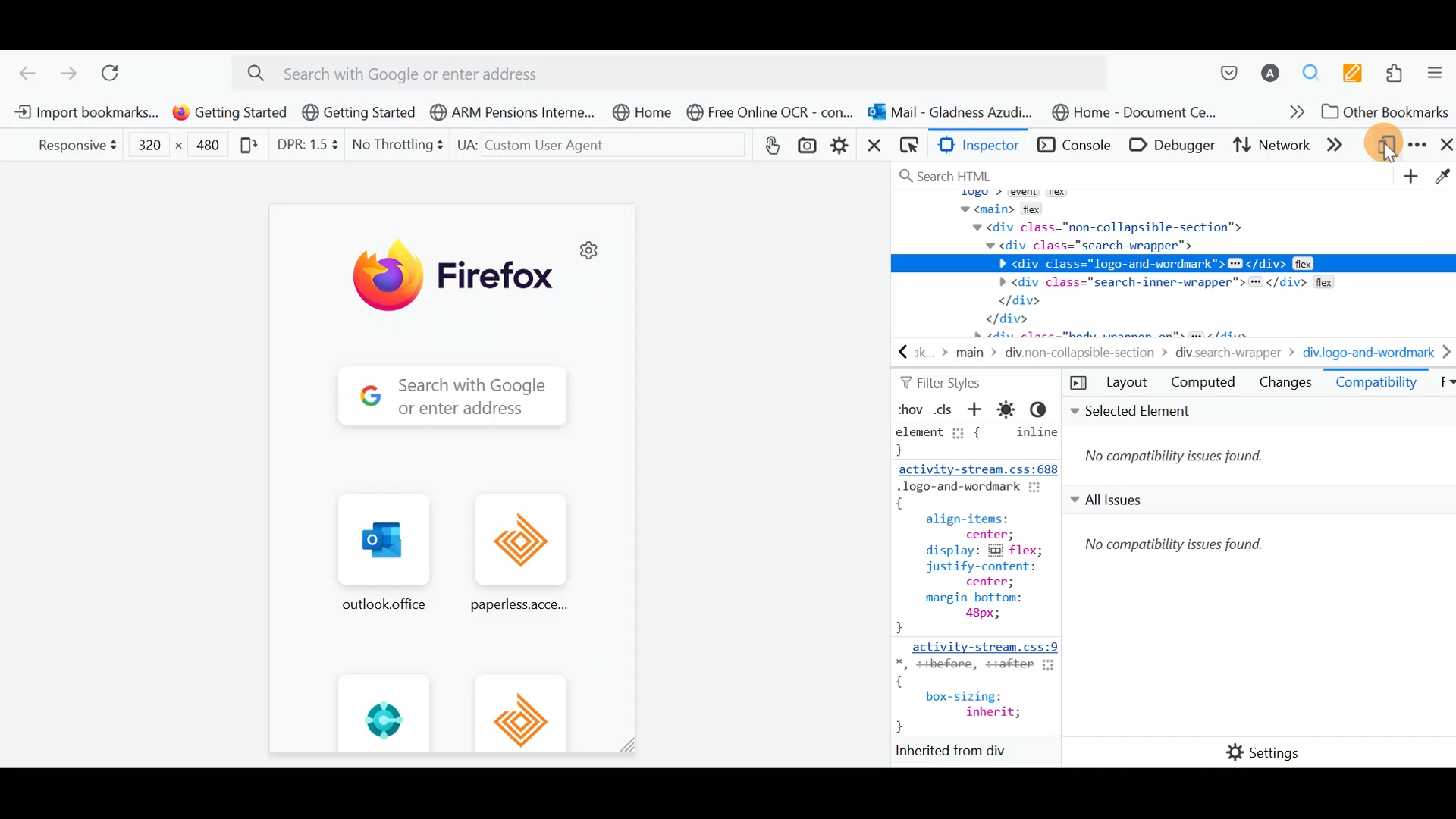 This screenshot has width=1456, height=819. I want to click on Debugger, so click(1169, 146).